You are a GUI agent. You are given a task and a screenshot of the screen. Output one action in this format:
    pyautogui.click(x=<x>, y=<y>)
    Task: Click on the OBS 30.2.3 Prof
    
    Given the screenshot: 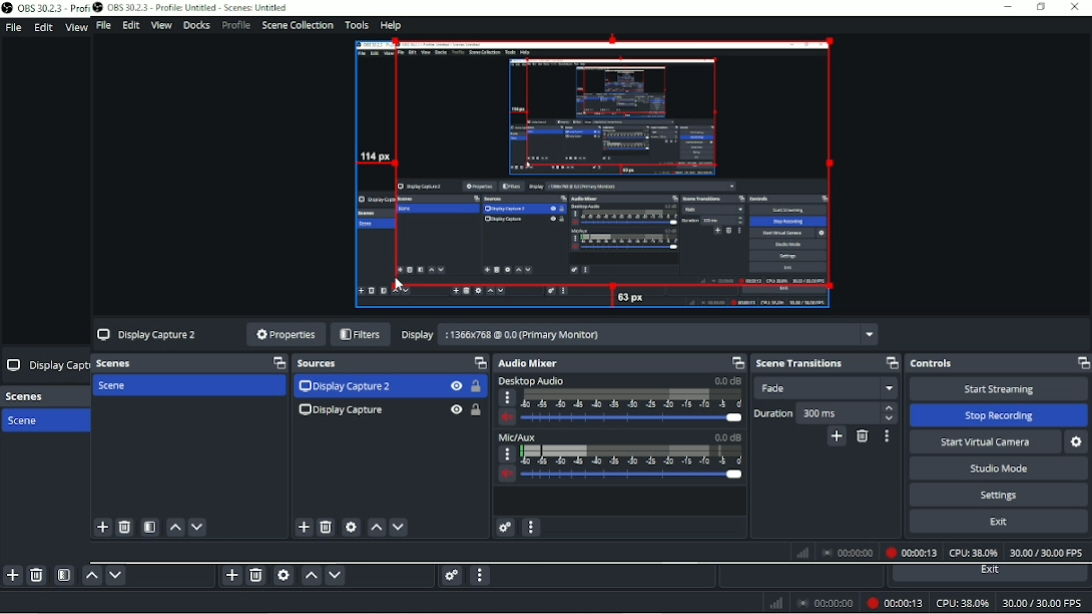 What is the action you would take?
    pyautogui.click(x=45, y=9)
    